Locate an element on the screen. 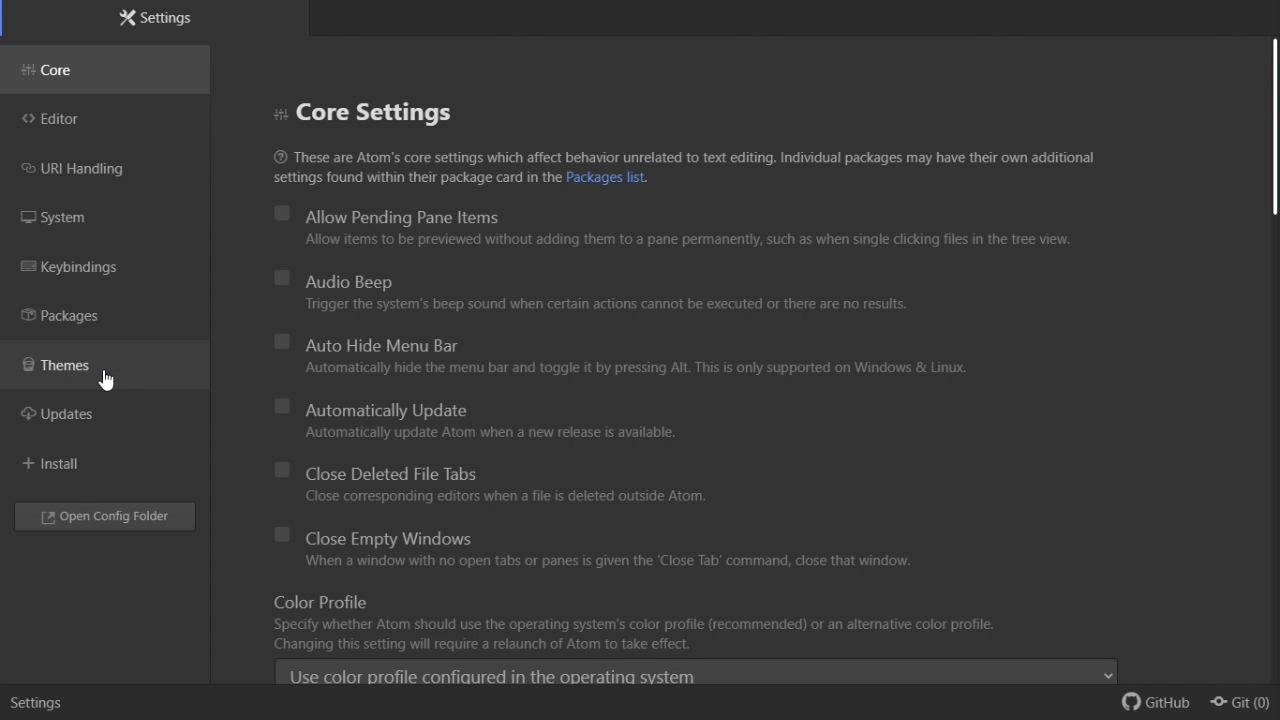 This screenshot has height=720, width=1280. System is located at coordinates (75, 222).